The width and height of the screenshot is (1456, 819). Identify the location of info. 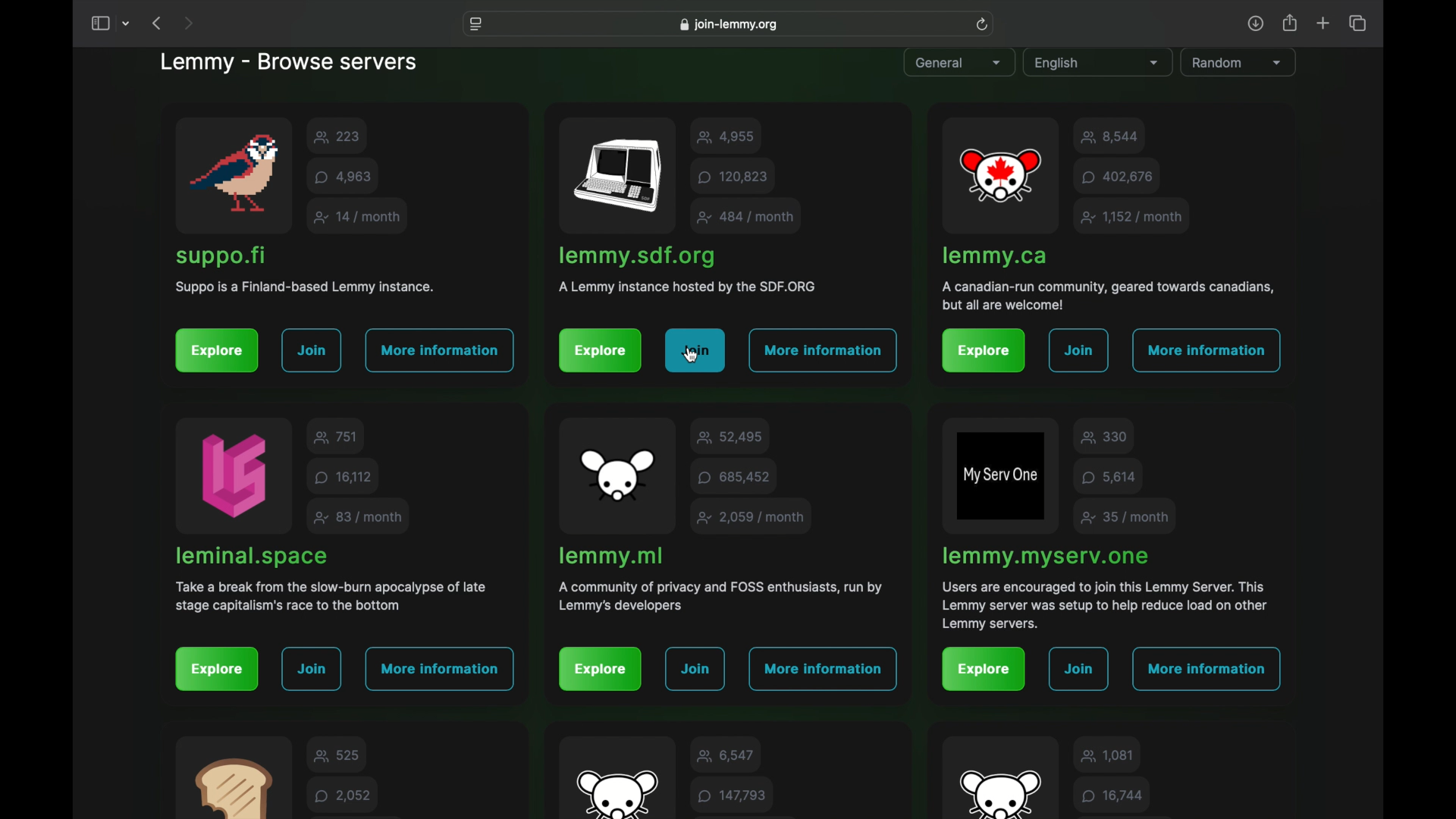
(1106, 605).